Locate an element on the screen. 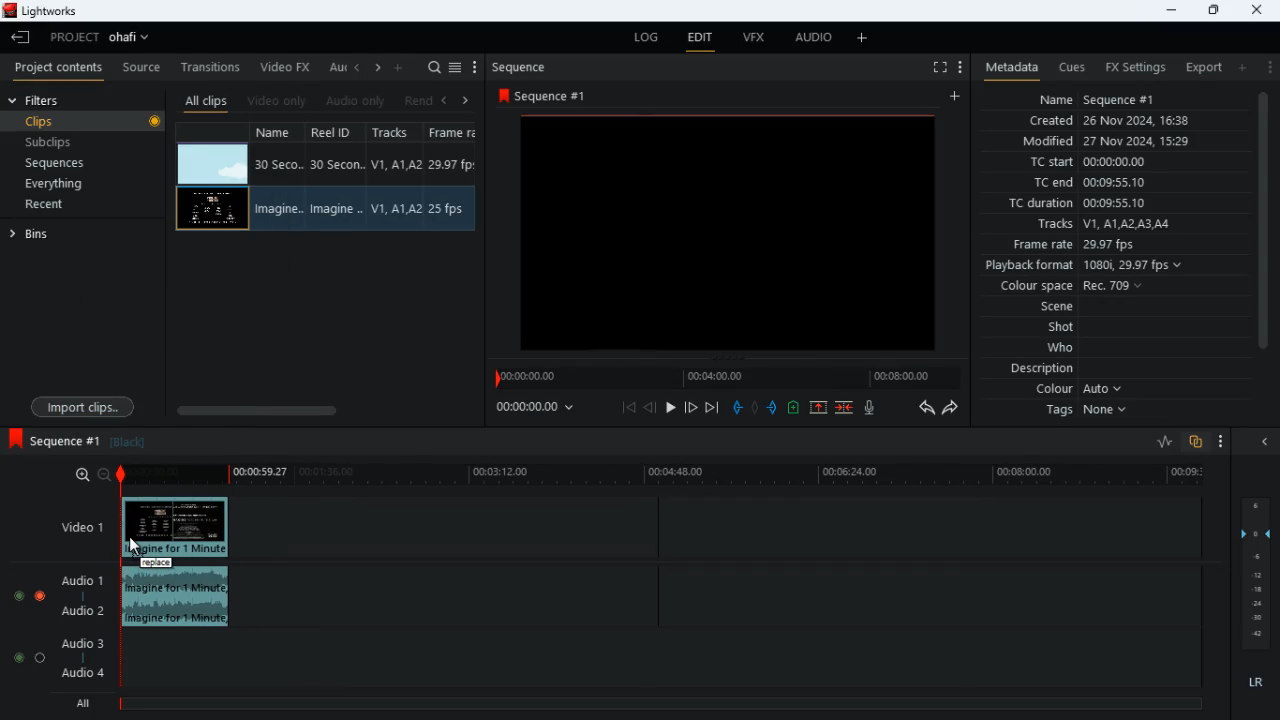  timeline is located at coordinates (724, 377).